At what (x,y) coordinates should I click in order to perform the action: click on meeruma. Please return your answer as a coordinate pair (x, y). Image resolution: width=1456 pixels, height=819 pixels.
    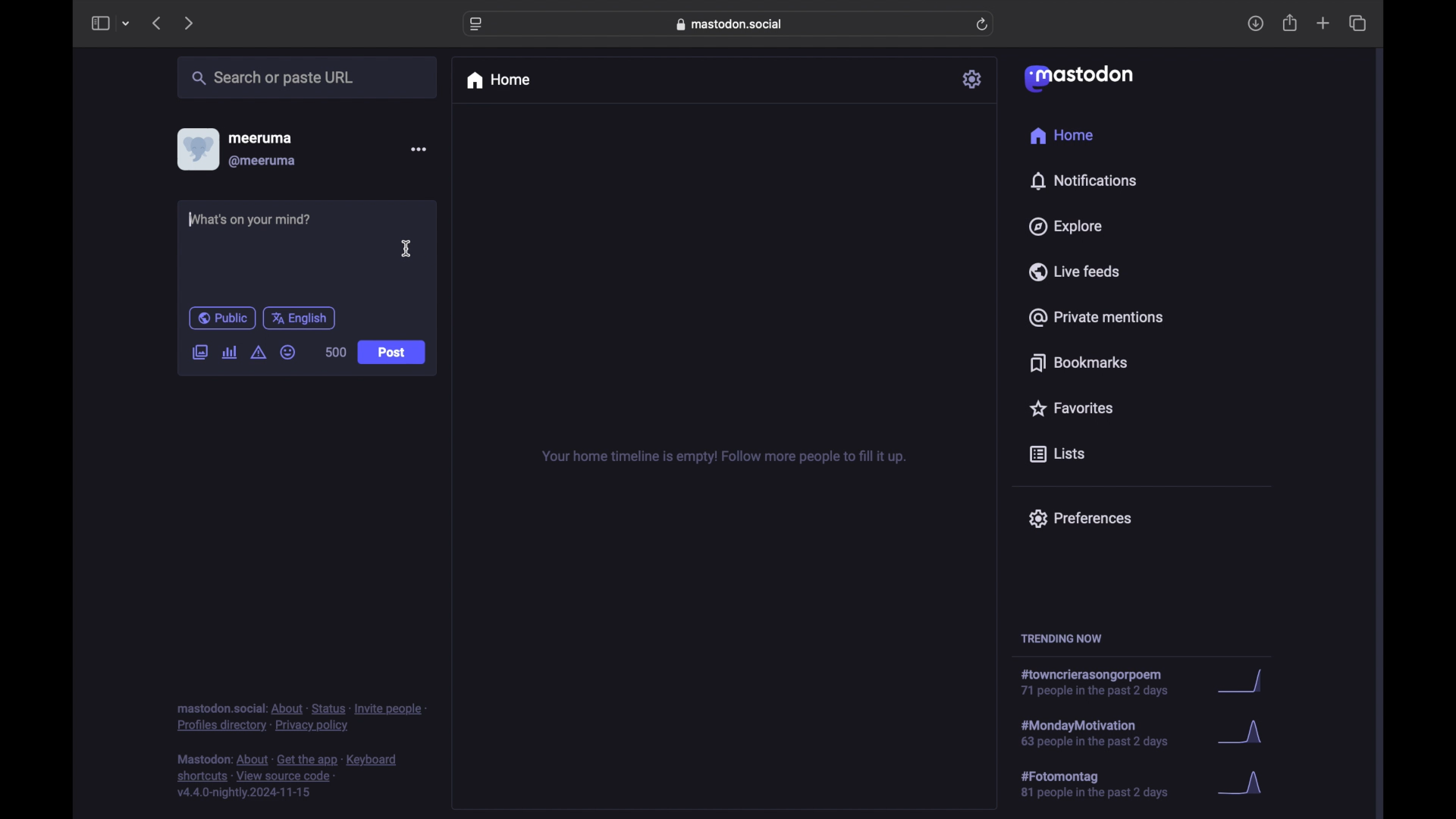
    Looking at the image, I should click on (260, 138).